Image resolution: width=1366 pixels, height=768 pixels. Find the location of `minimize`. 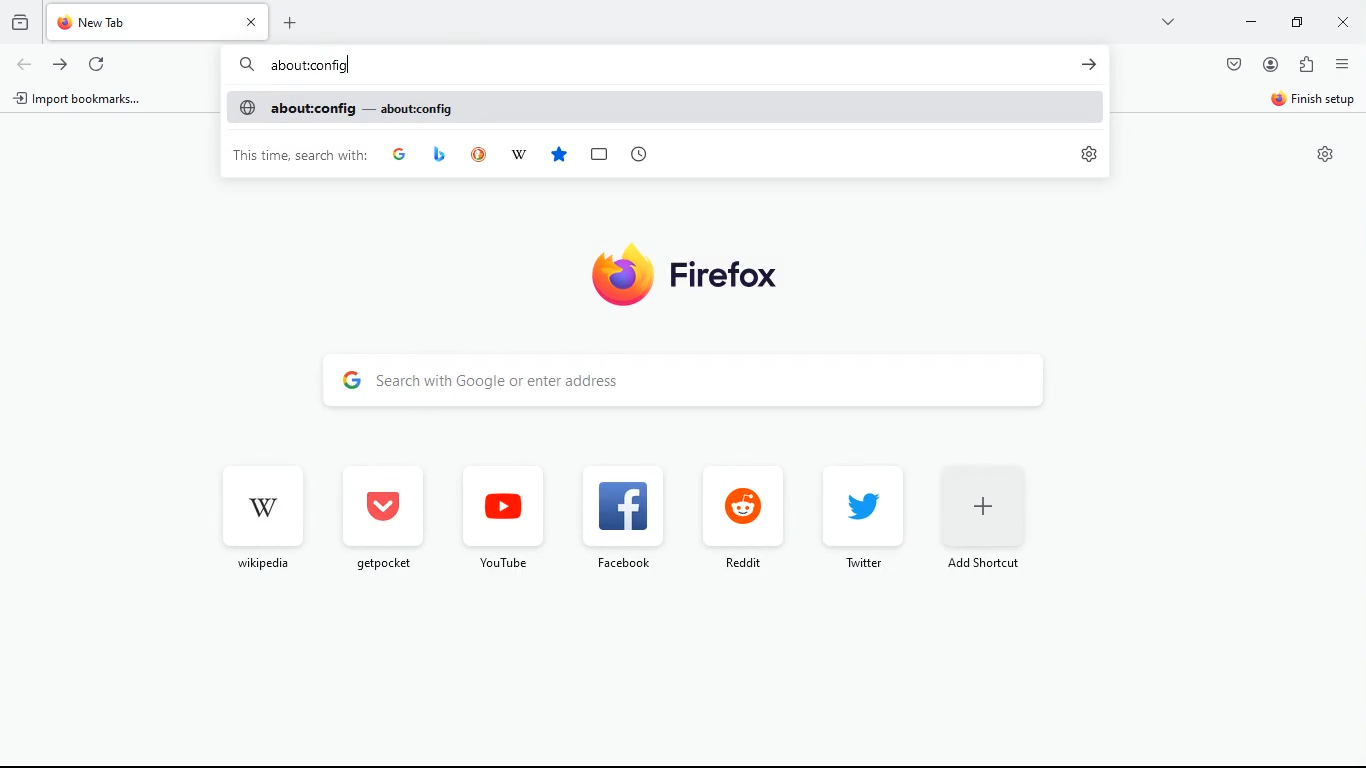

minimize is located at coordinates (1248, 23).